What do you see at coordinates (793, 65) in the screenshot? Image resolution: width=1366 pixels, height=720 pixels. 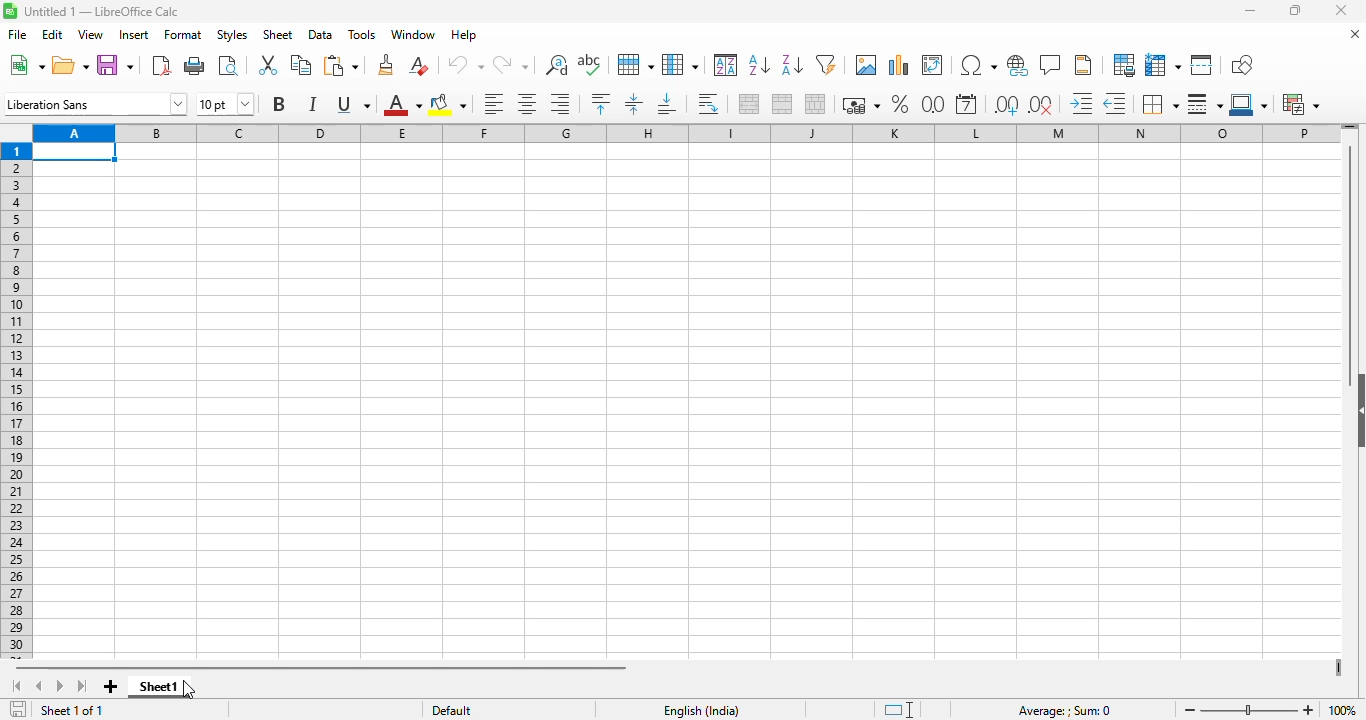 I see `sort descending` at bounding box center [793, 65].